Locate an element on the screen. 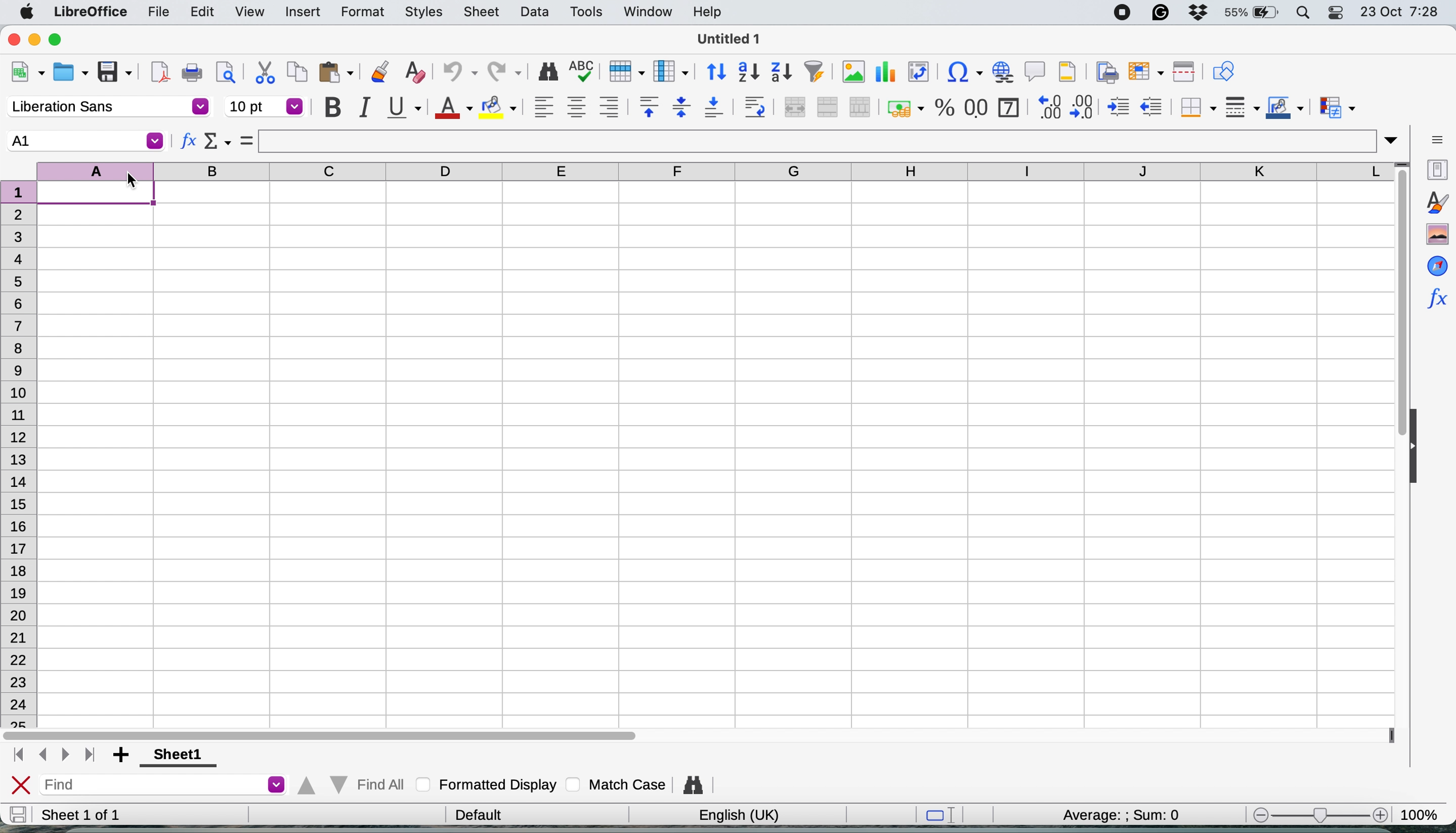 The image size is (1456, 833). format as date is located at coordinates (1008, 107).